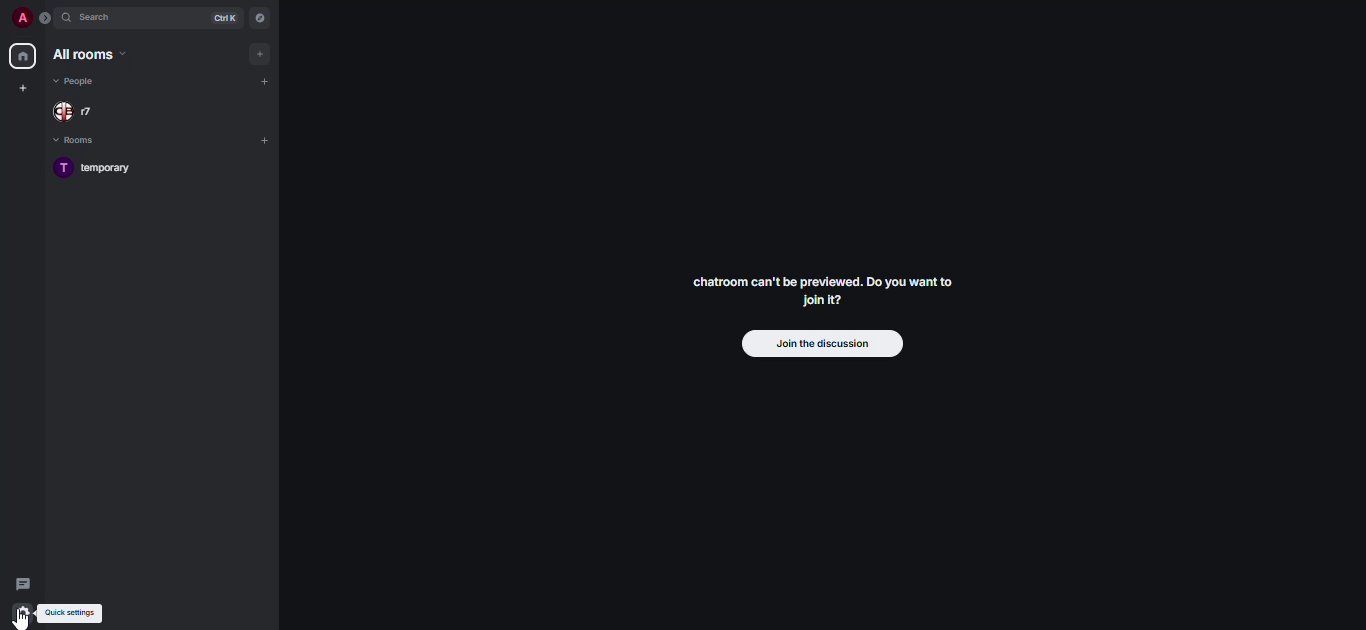 The image size is (1366, 630). What do you see at coordinates (70, 612) in the screenshot?
I see `quick settings` at bounding box center [70, 612].